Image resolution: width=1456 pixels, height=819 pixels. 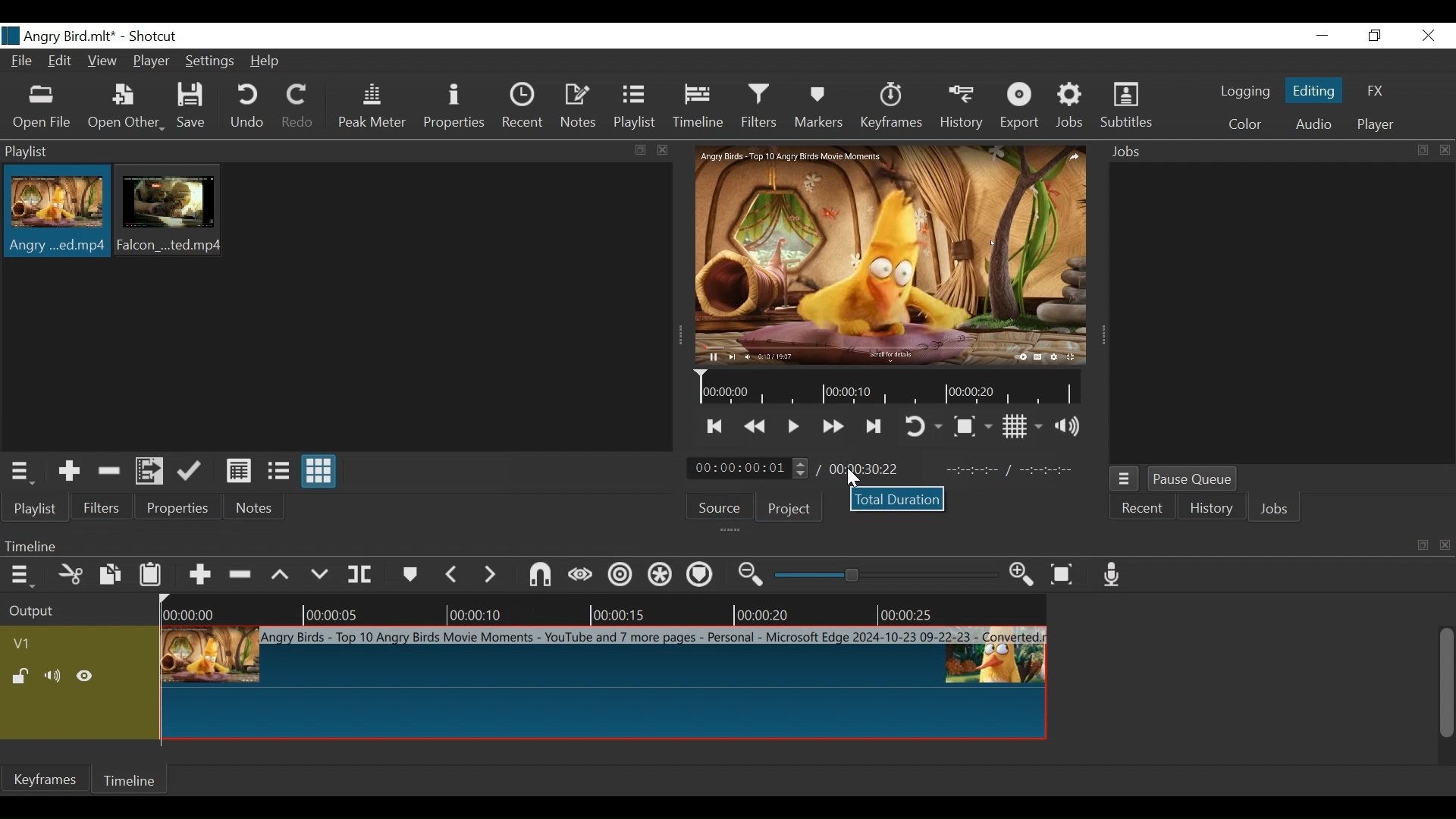 What do you see at coordinates (1446, 692) in the screenshot?
I see `vertical scrollbar` at bounding box center [1446, 692].